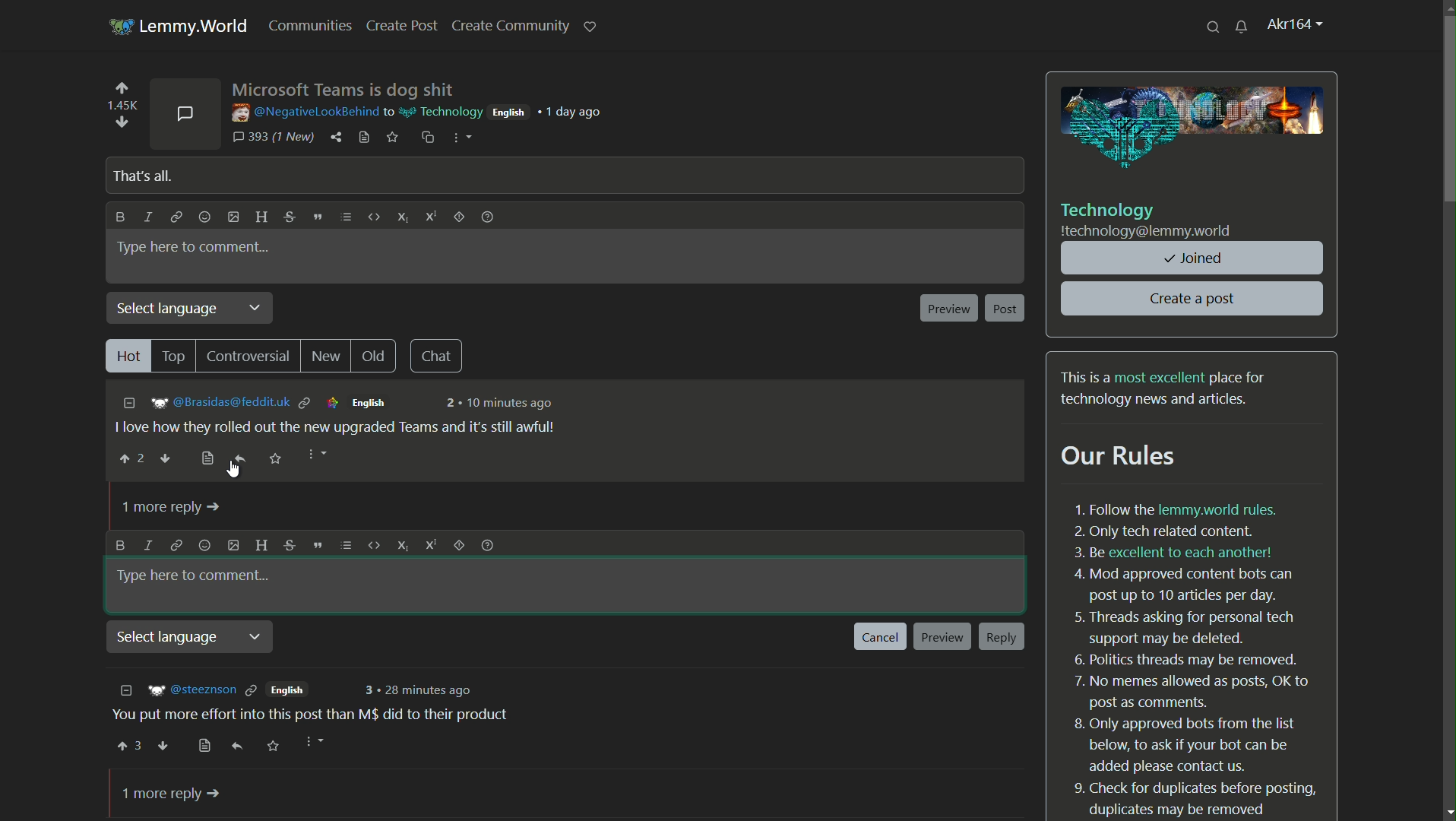  What do you see at coordinates (127, 356) in the screenshot?
I see `hot` at bounding box center [127, 356].